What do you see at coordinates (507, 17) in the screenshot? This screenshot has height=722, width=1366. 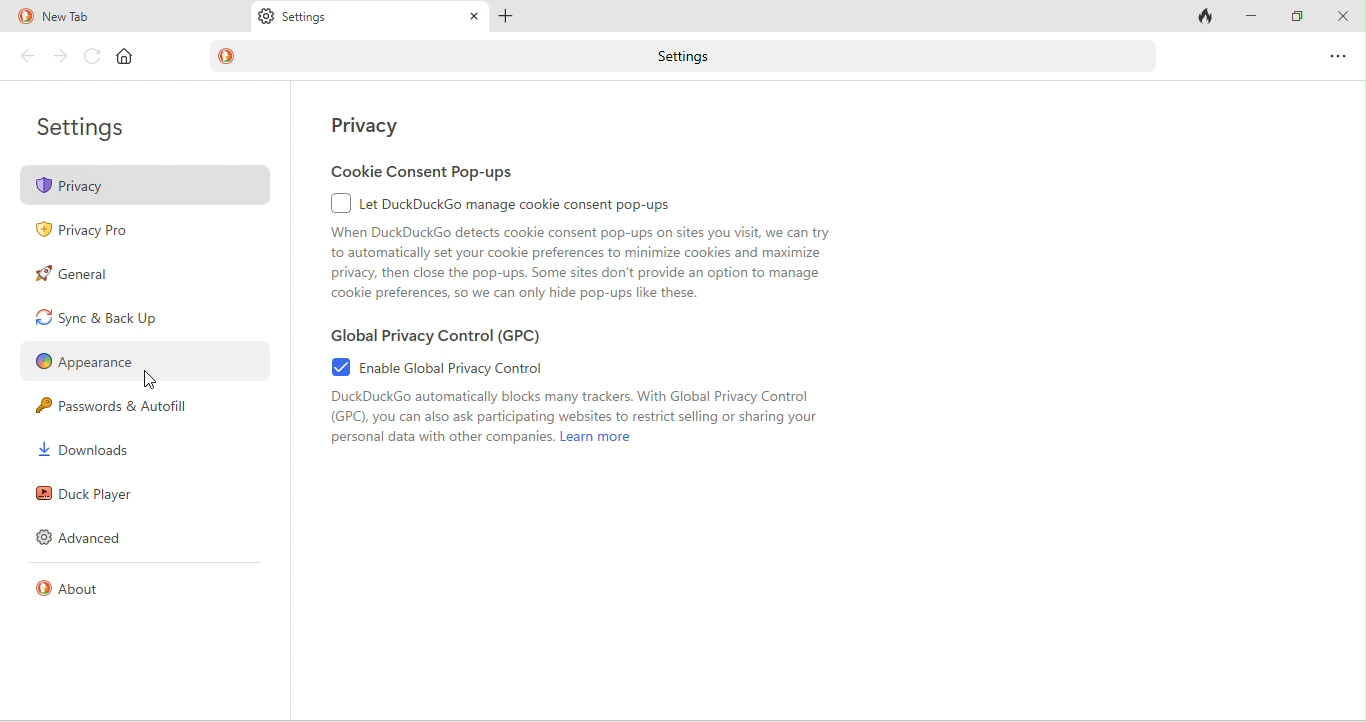 I see `add` at bounding box center [507, 17].